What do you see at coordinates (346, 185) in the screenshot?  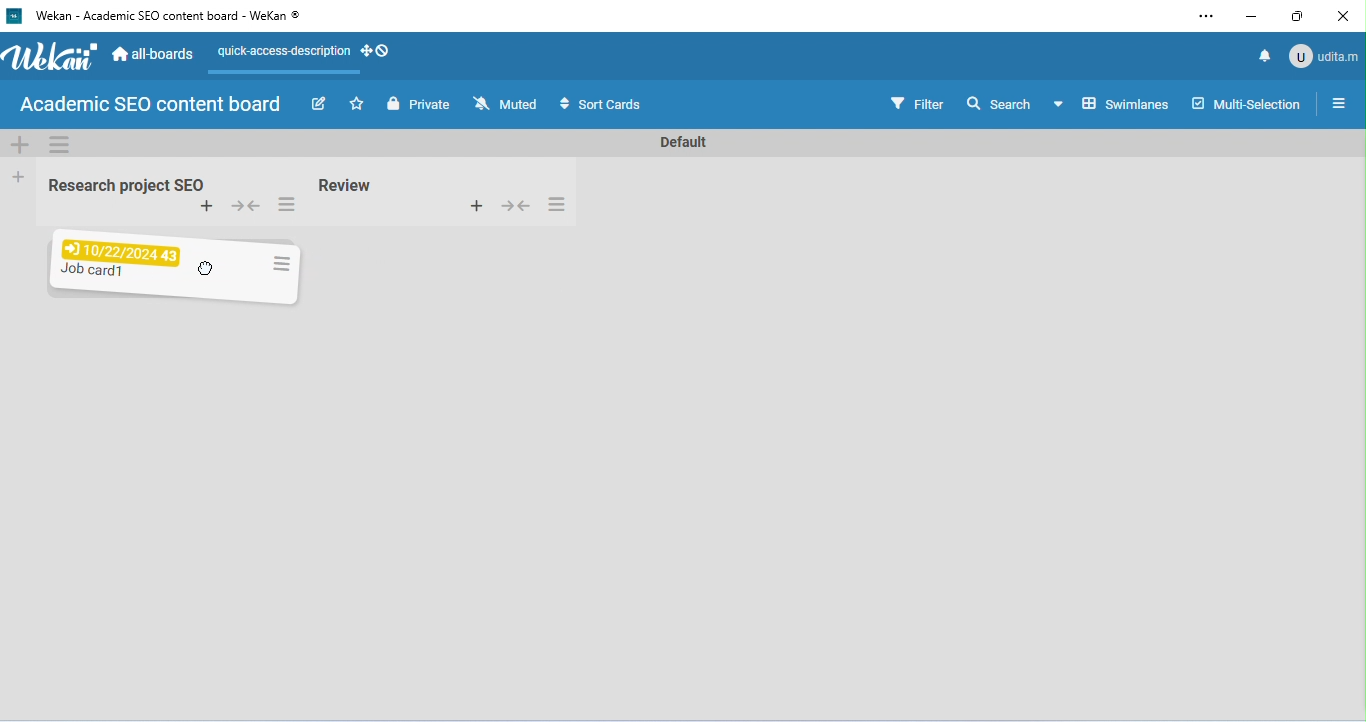 I see `list name : review` at bounding box center [346, 185].